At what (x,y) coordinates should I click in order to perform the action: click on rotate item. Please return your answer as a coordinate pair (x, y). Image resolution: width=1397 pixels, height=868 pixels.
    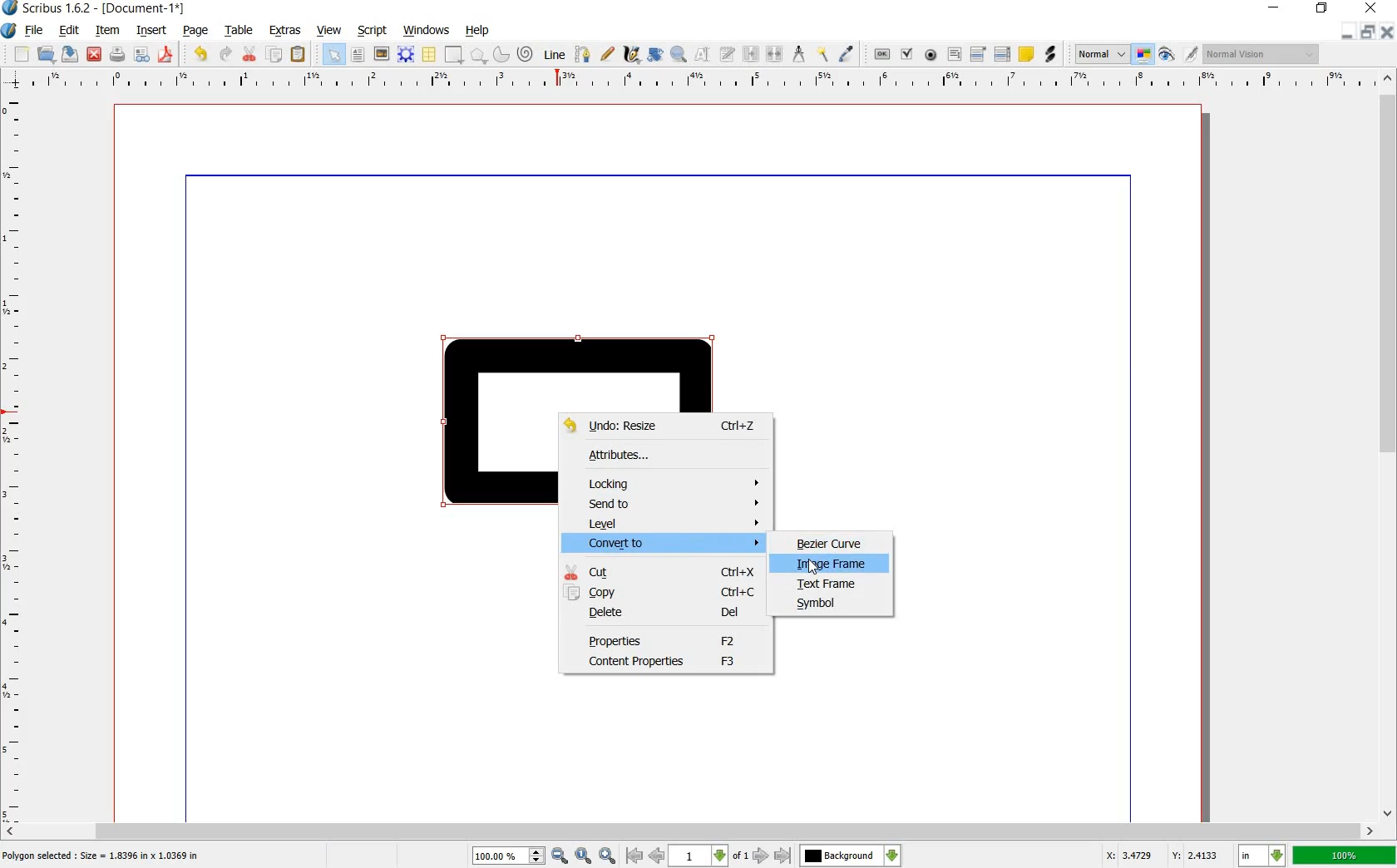
    Looking at the image, I should click on (655, 54).